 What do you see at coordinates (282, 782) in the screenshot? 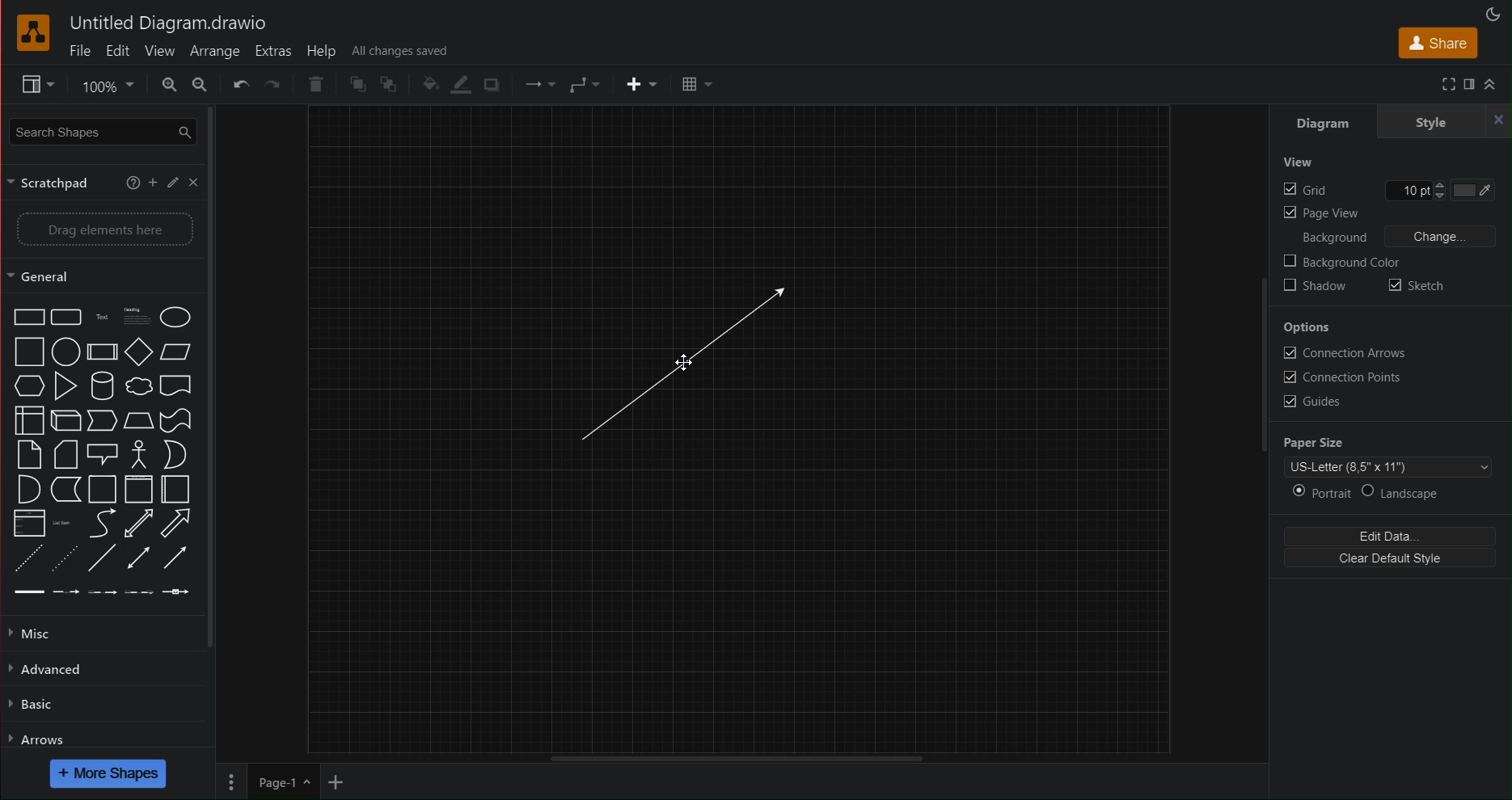
I see `Page 1` at bounding box center [282, 782].